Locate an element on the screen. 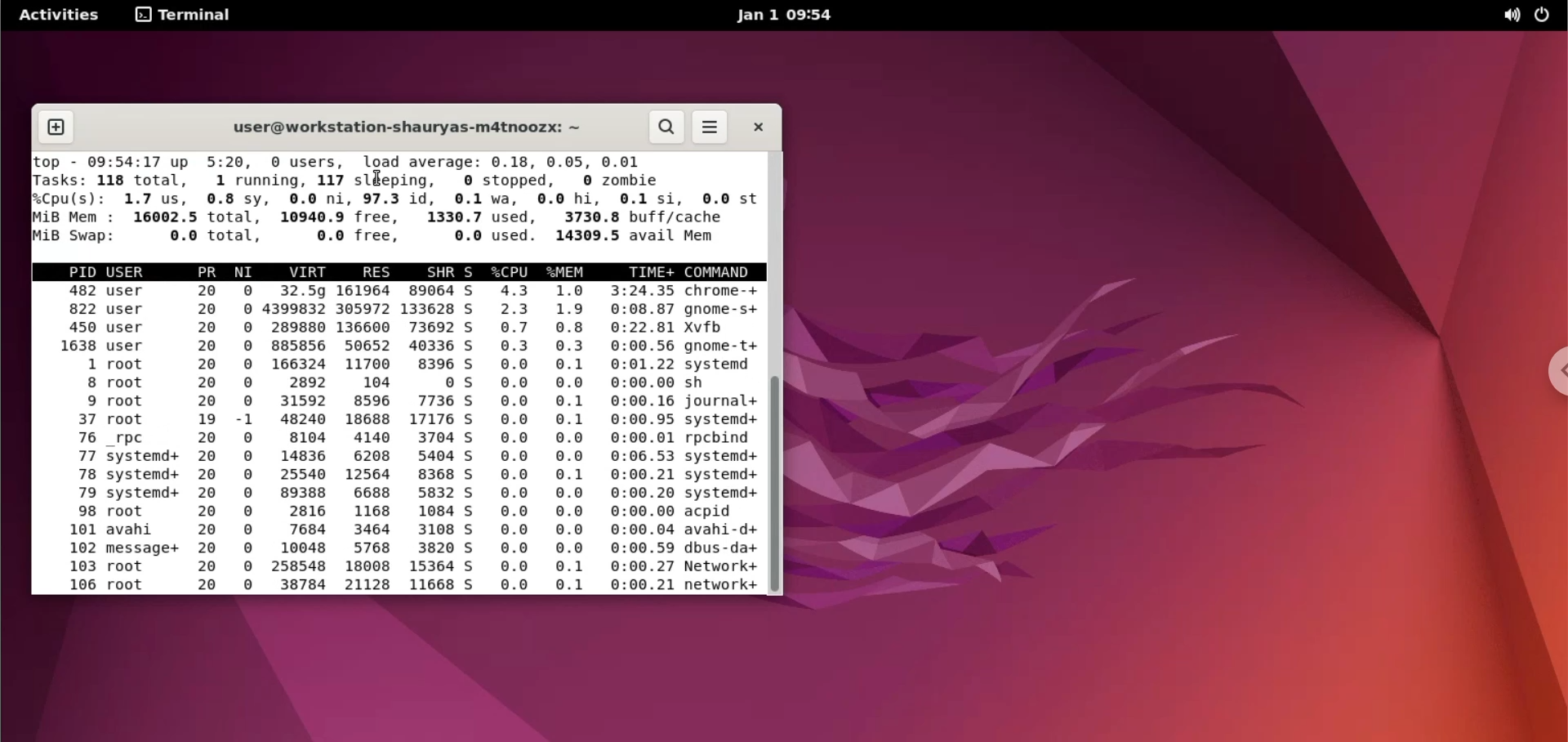 The image size is (1568, 742). SHR is located at coordinates (430, 438).